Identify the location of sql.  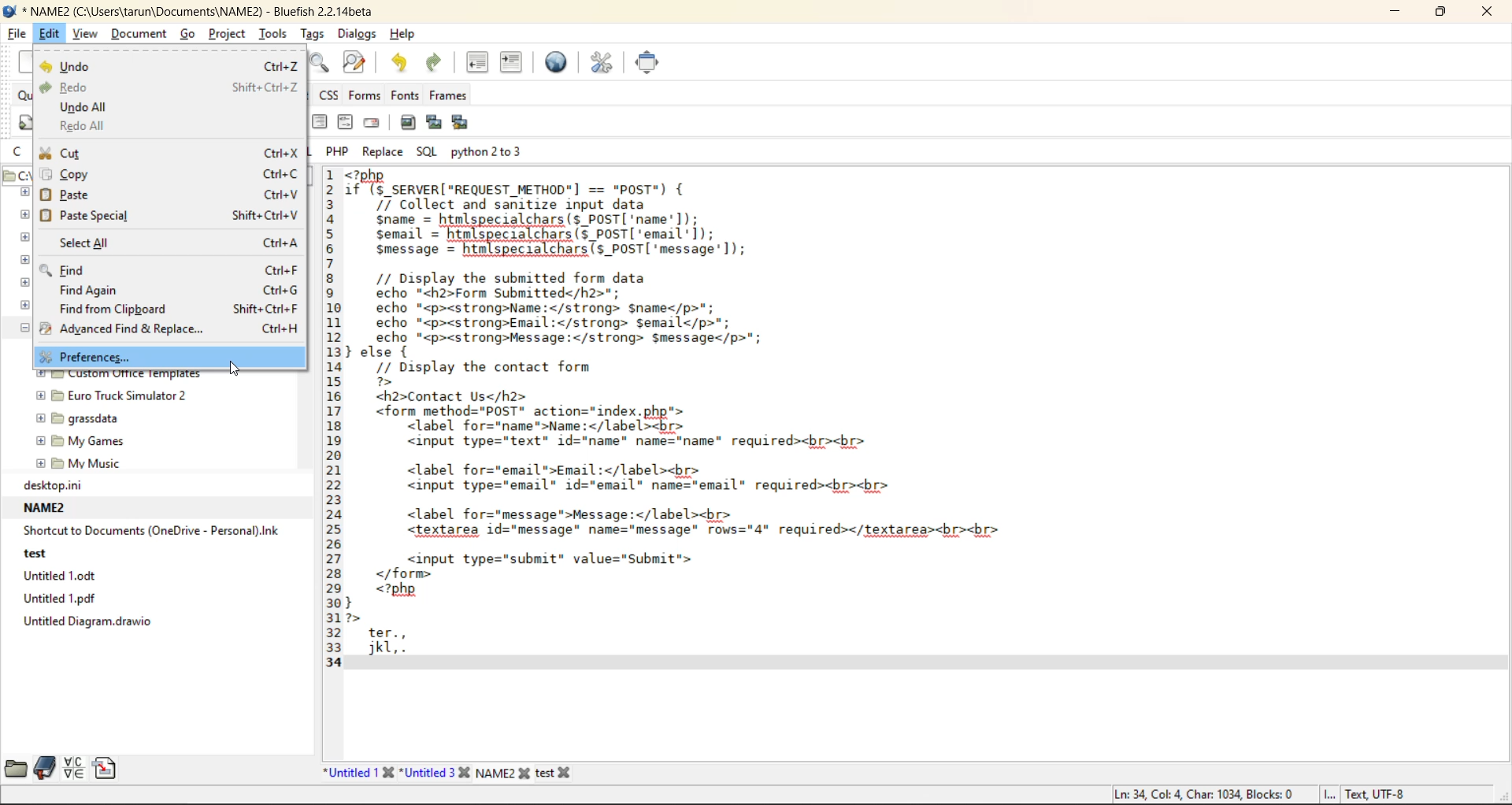
(428, 151).